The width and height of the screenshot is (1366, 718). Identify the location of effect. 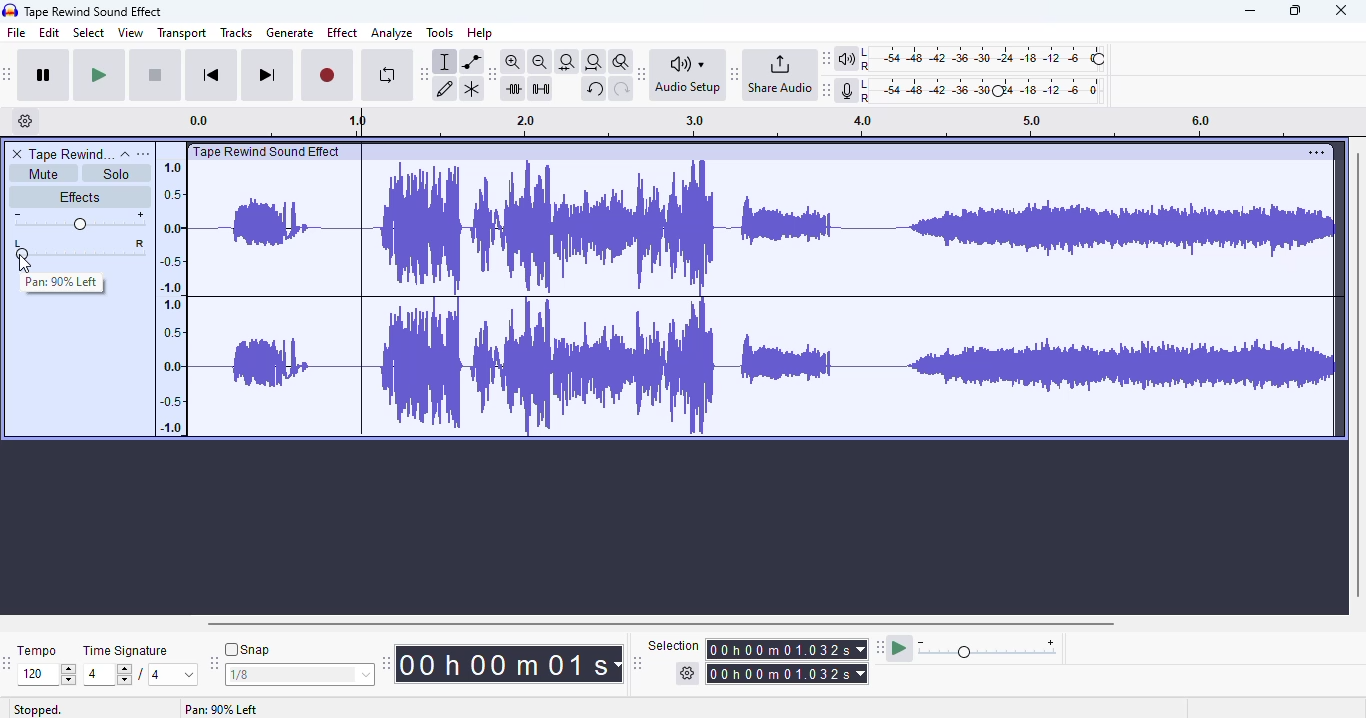
(343, 33).